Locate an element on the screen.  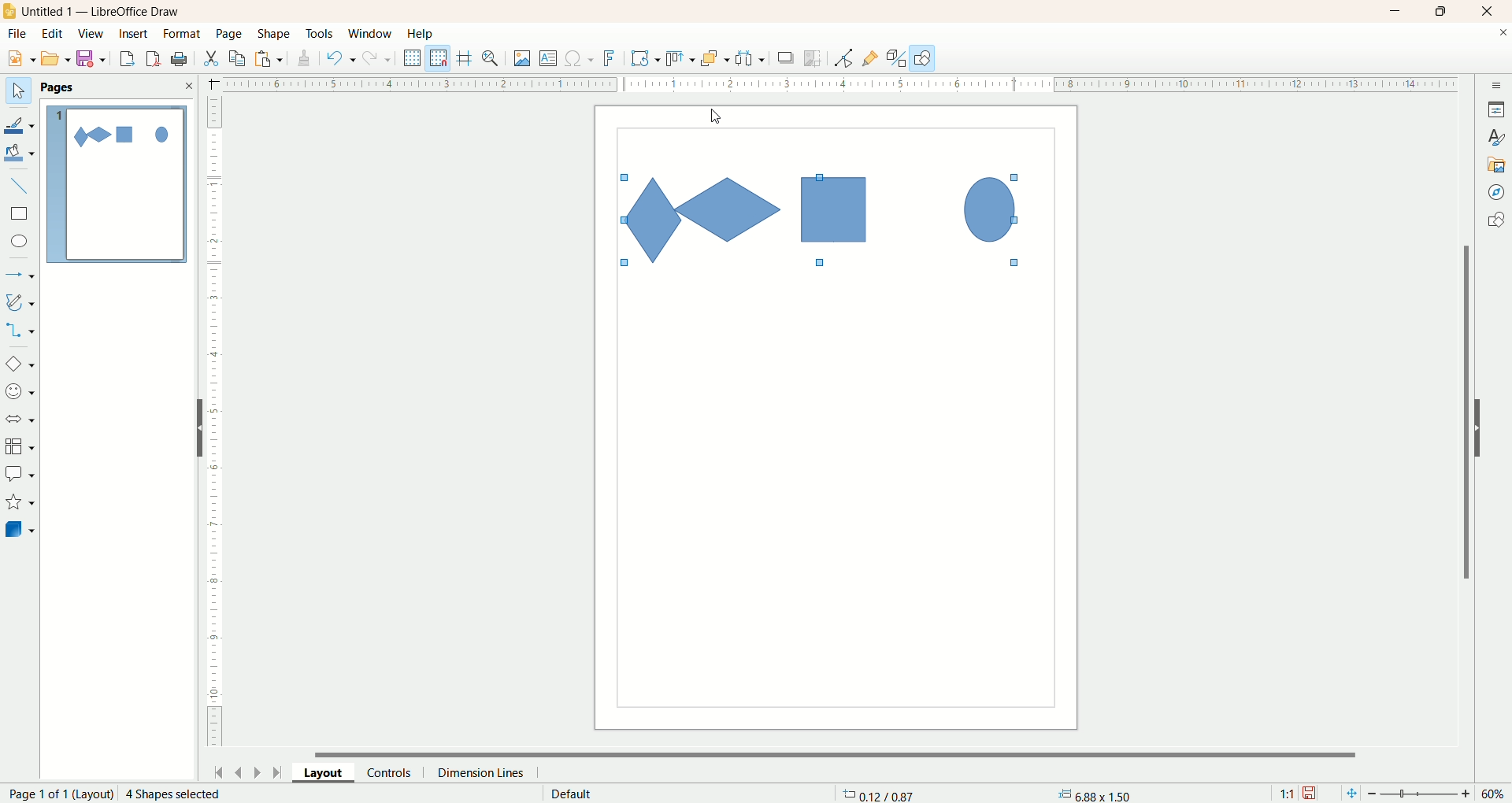
point edit mode is located at coordinates (843, 59).